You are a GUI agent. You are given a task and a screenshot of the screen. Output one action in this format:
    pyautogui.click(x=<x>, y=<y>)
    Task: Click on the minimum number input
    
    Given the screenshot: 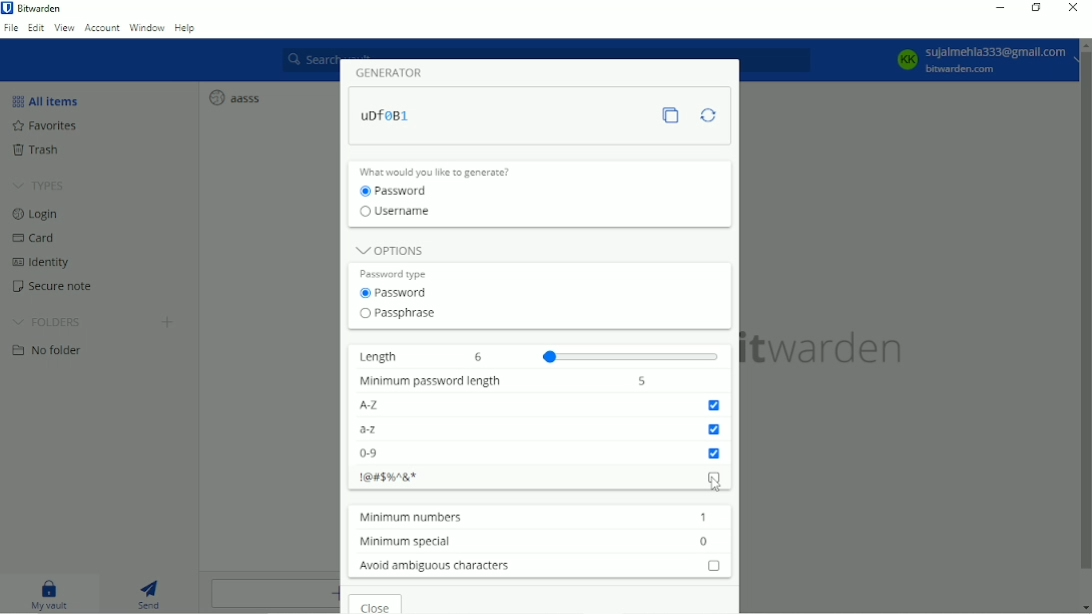 What is the action you would take?
    pyautogui.click(x=707, y=518)
    